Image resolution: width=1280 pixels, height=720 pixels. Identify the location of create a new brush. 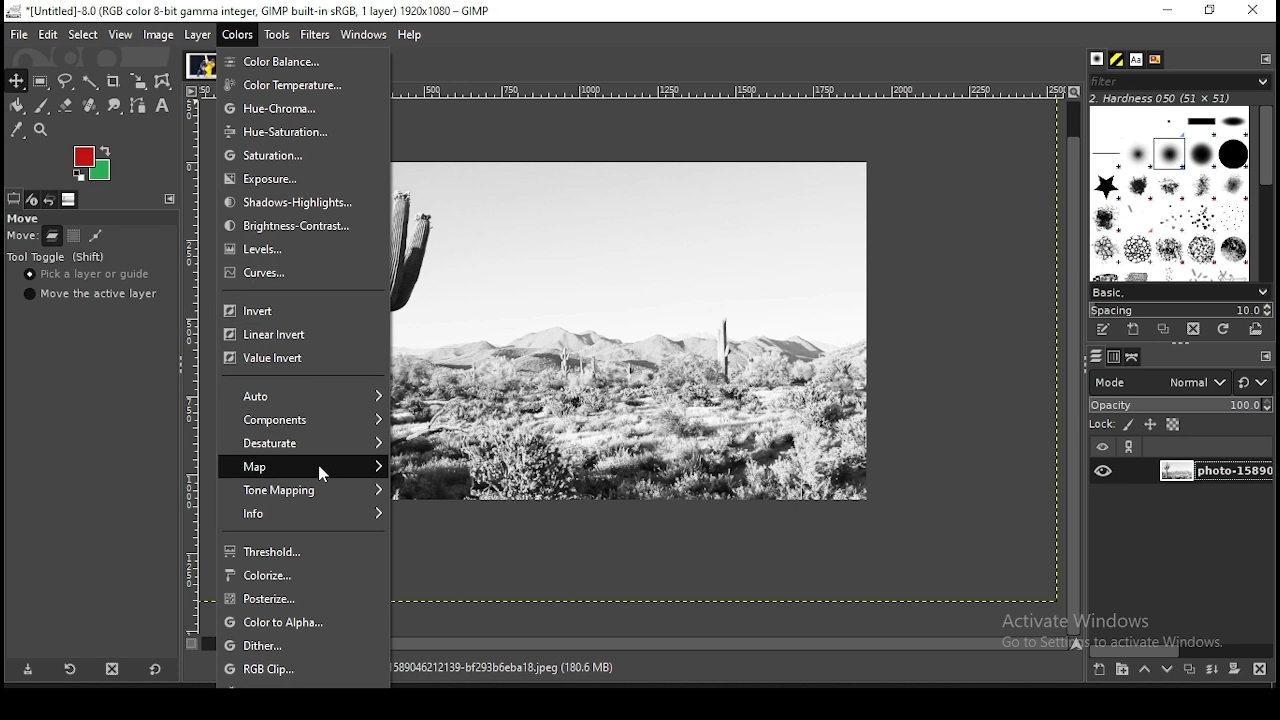
(1136, 330).